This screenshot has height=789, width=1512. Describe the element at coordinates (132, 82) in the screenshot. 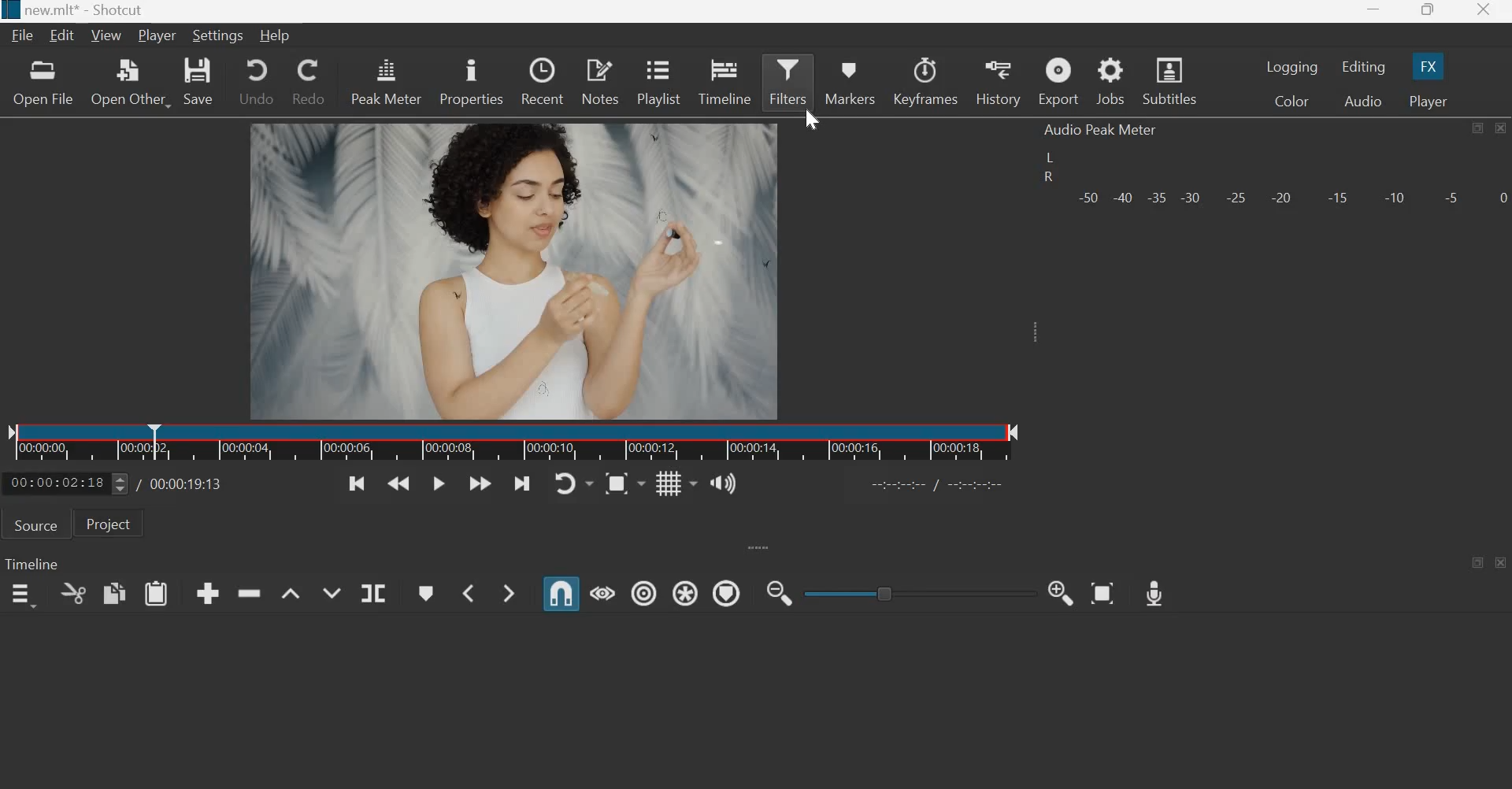

I see `Open other` at that location.